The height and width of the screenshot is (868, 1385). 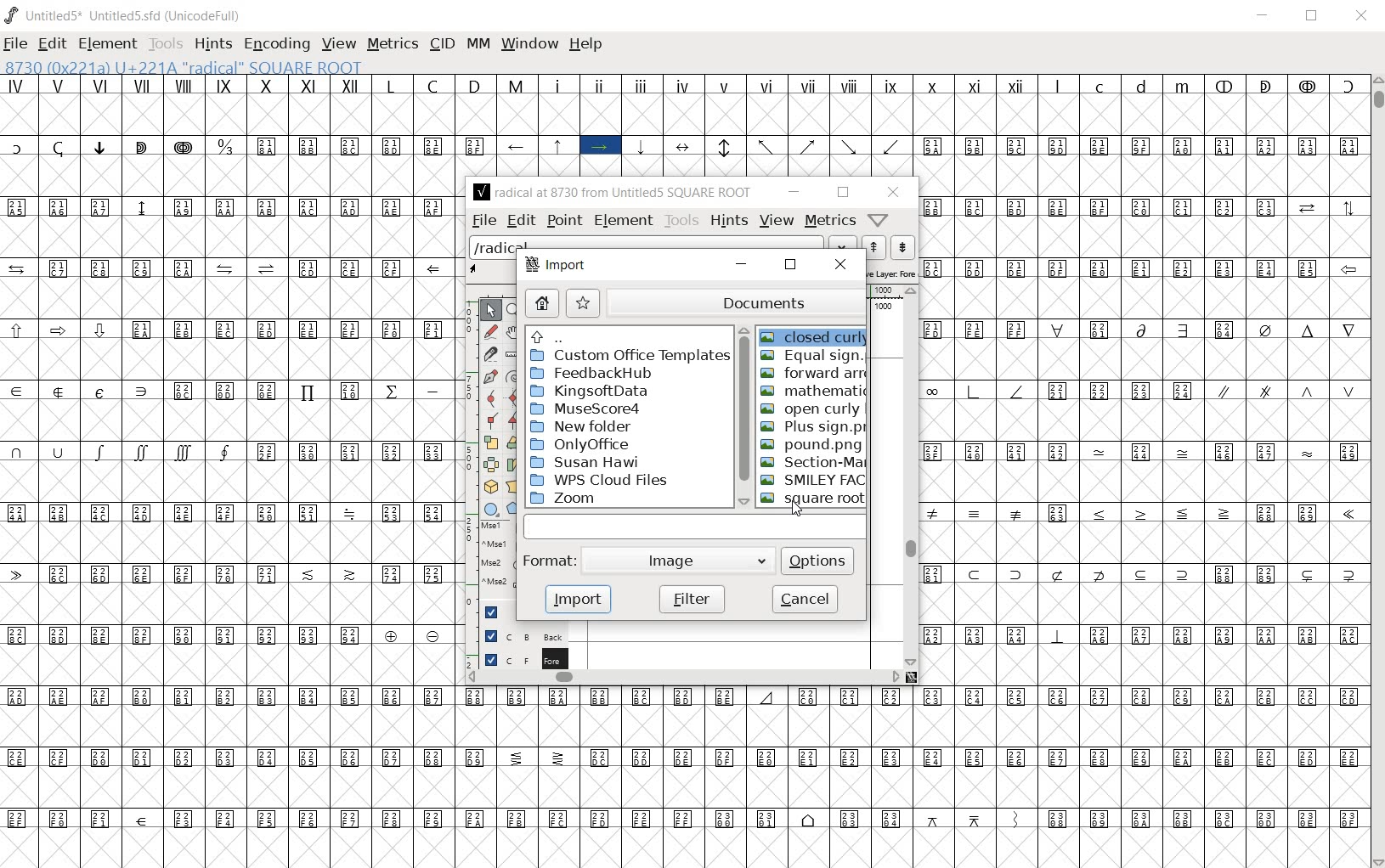 What do you see at coordinates (517, 509) in the screenshot?
I see `polygon or star` at bounding box center [517, 509].